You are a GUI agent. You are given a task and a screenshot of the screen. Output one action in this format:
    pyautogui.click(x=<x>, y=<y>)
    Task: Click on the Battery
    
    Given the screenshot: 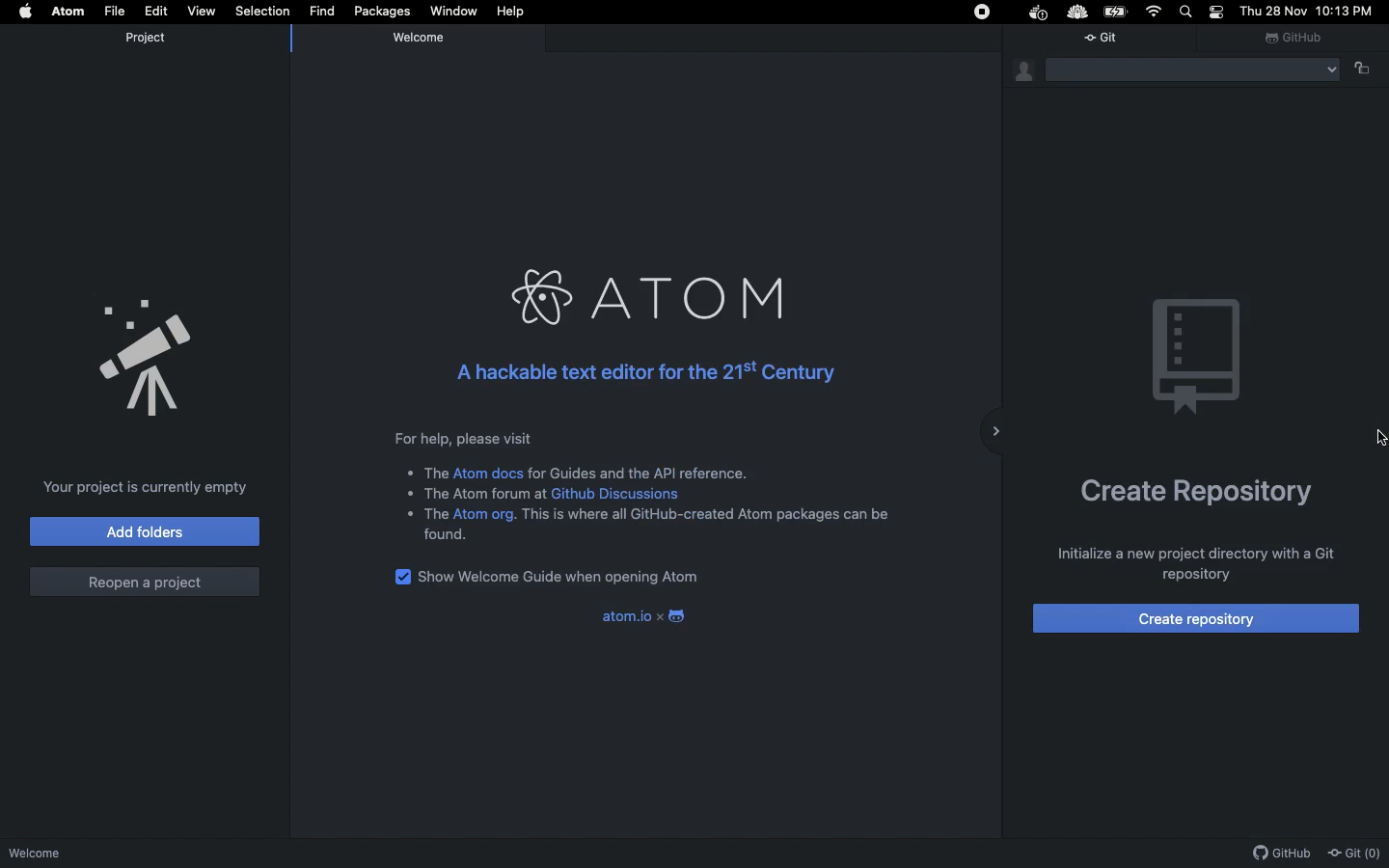 What is the action you would take?
    pyautogui.click(x=1117, y=13)
    